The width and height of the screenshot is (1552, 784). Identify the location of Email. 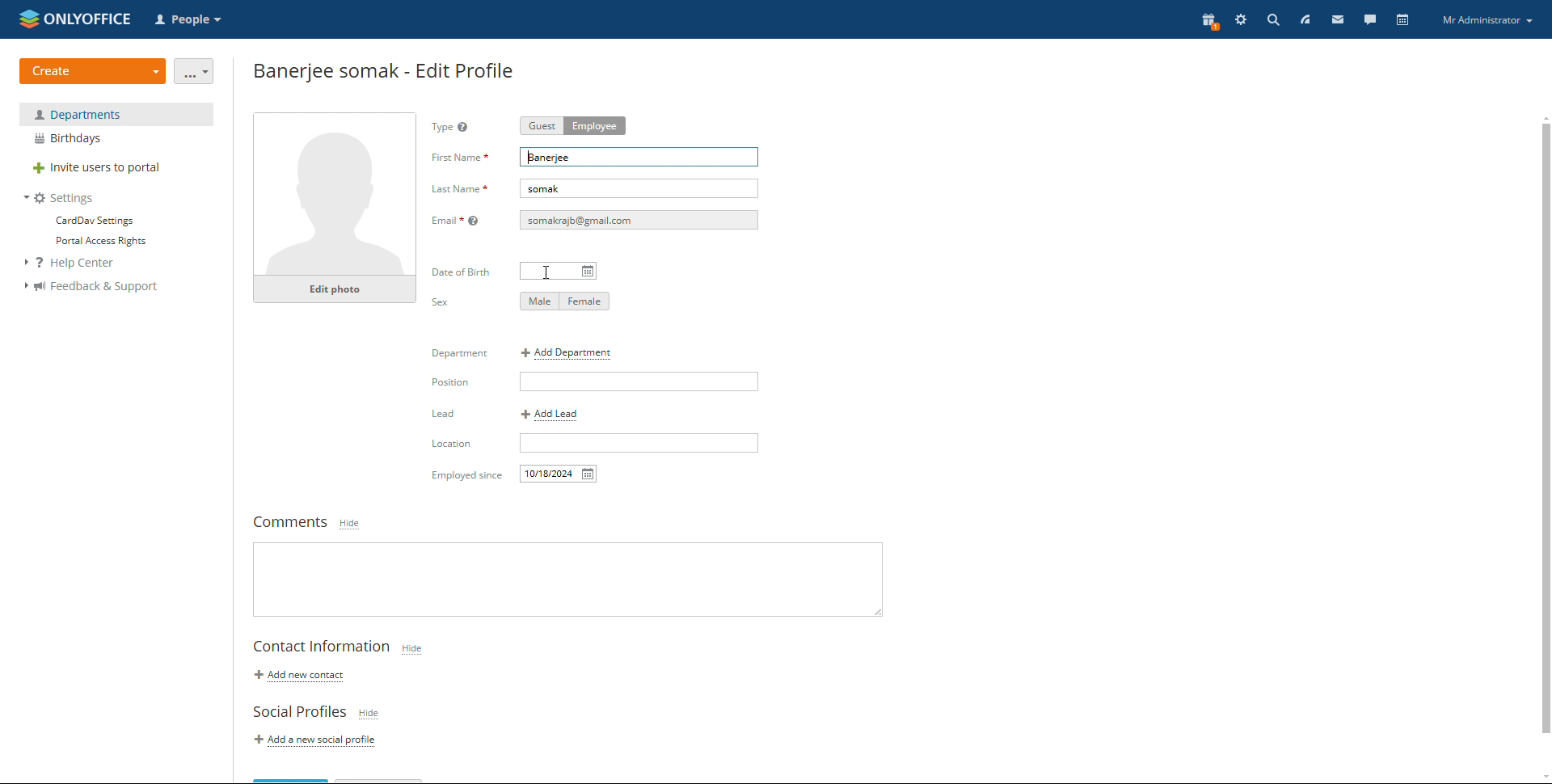
(458, 220).